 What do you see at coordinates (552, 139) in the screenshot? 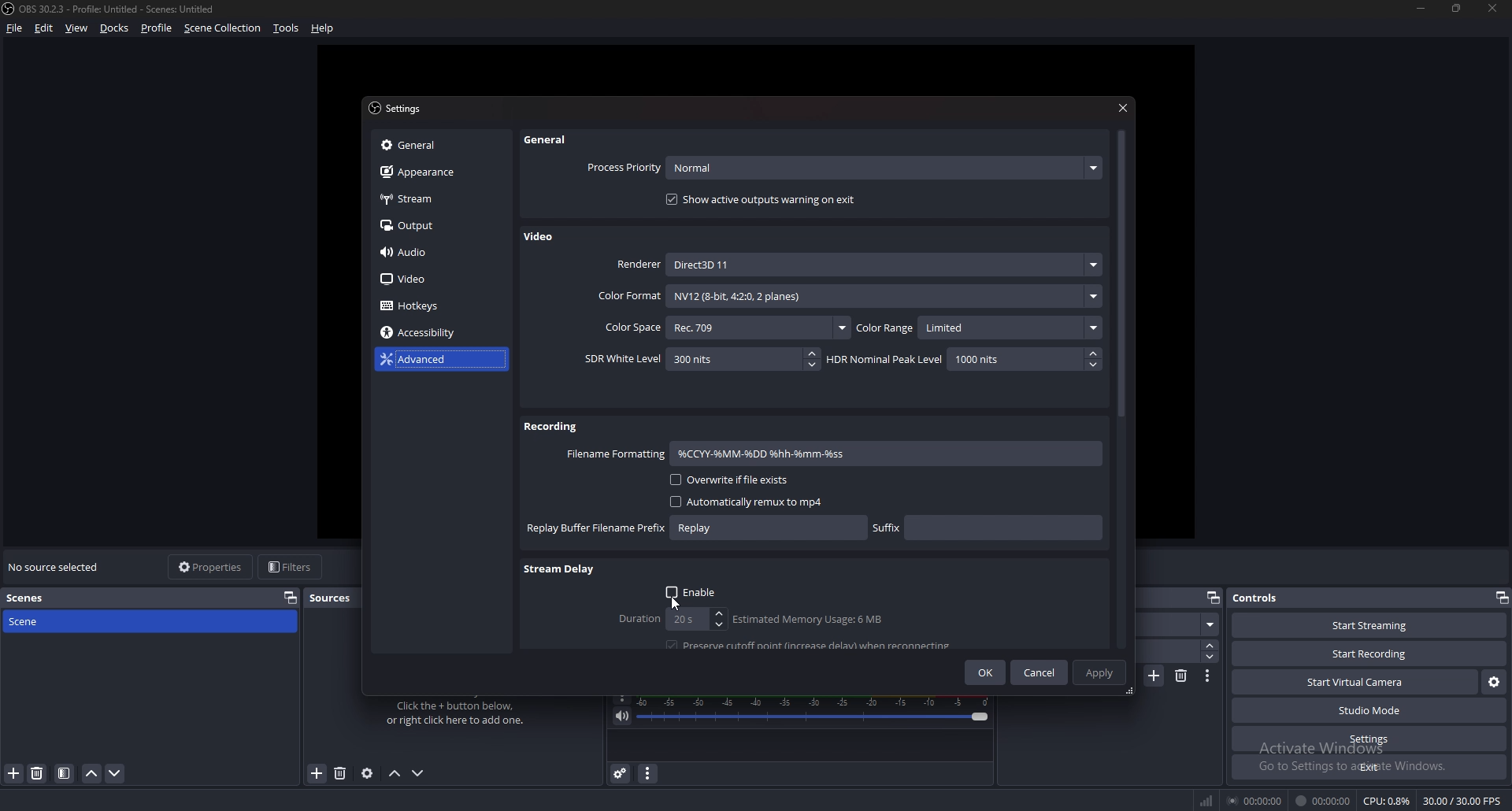
I see `general` at bounding box center [552, 139].